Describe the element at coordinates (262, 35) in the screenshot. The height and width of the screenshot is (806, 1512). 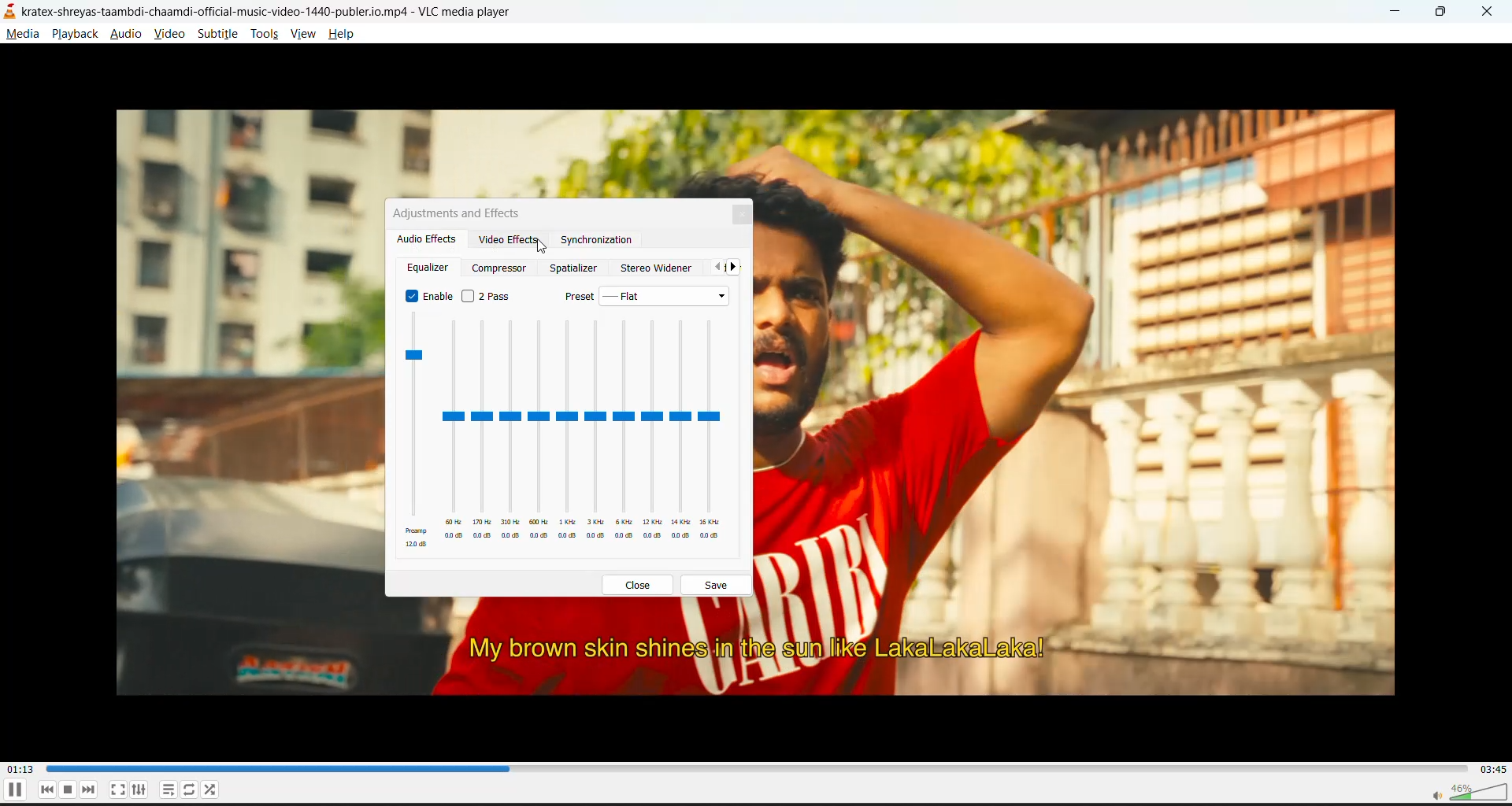
I see `tools` at that location.